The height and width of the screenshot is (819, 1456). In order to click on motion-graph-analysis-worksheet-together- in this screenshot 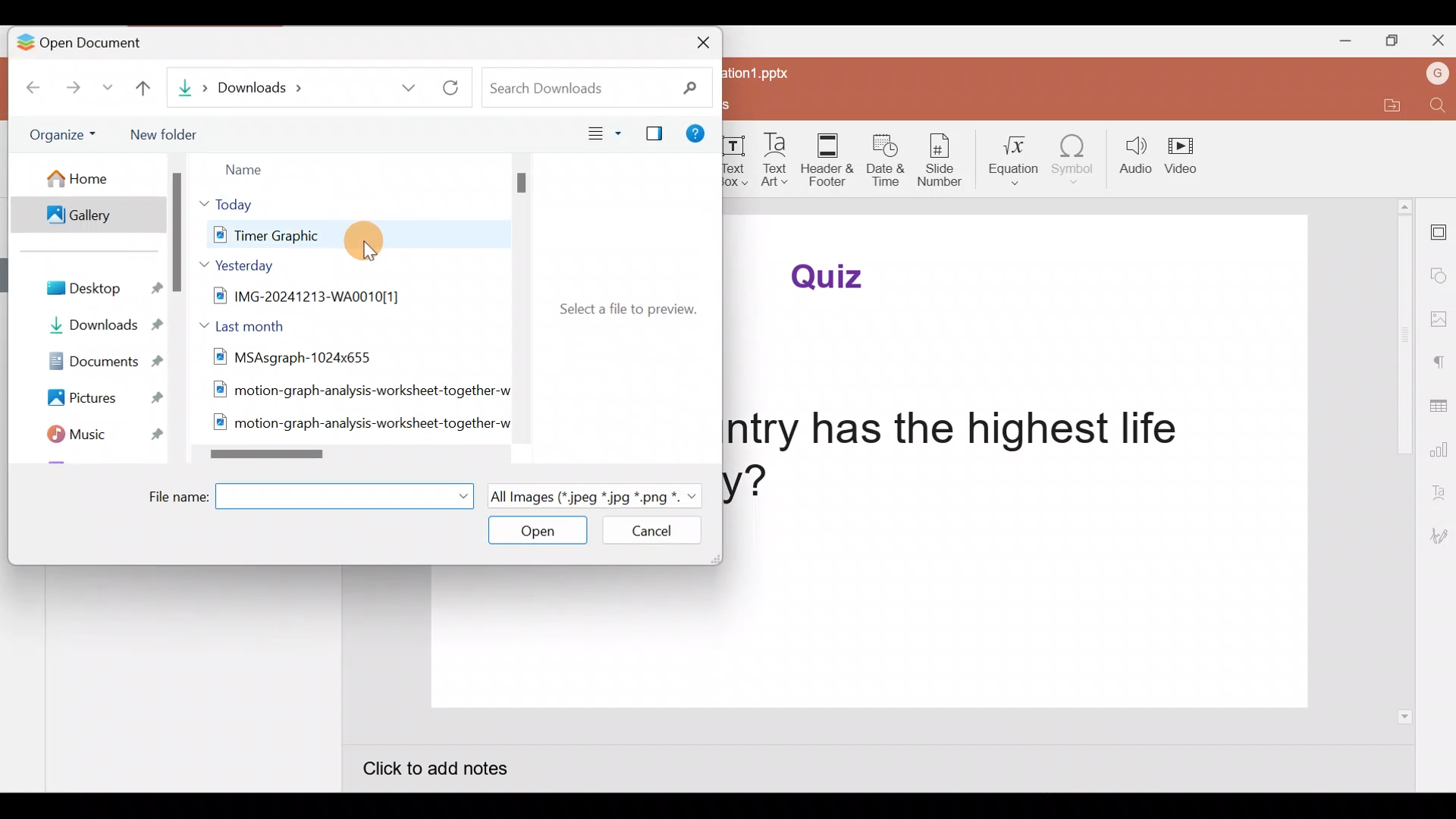, I will do `click(353, 393)`.